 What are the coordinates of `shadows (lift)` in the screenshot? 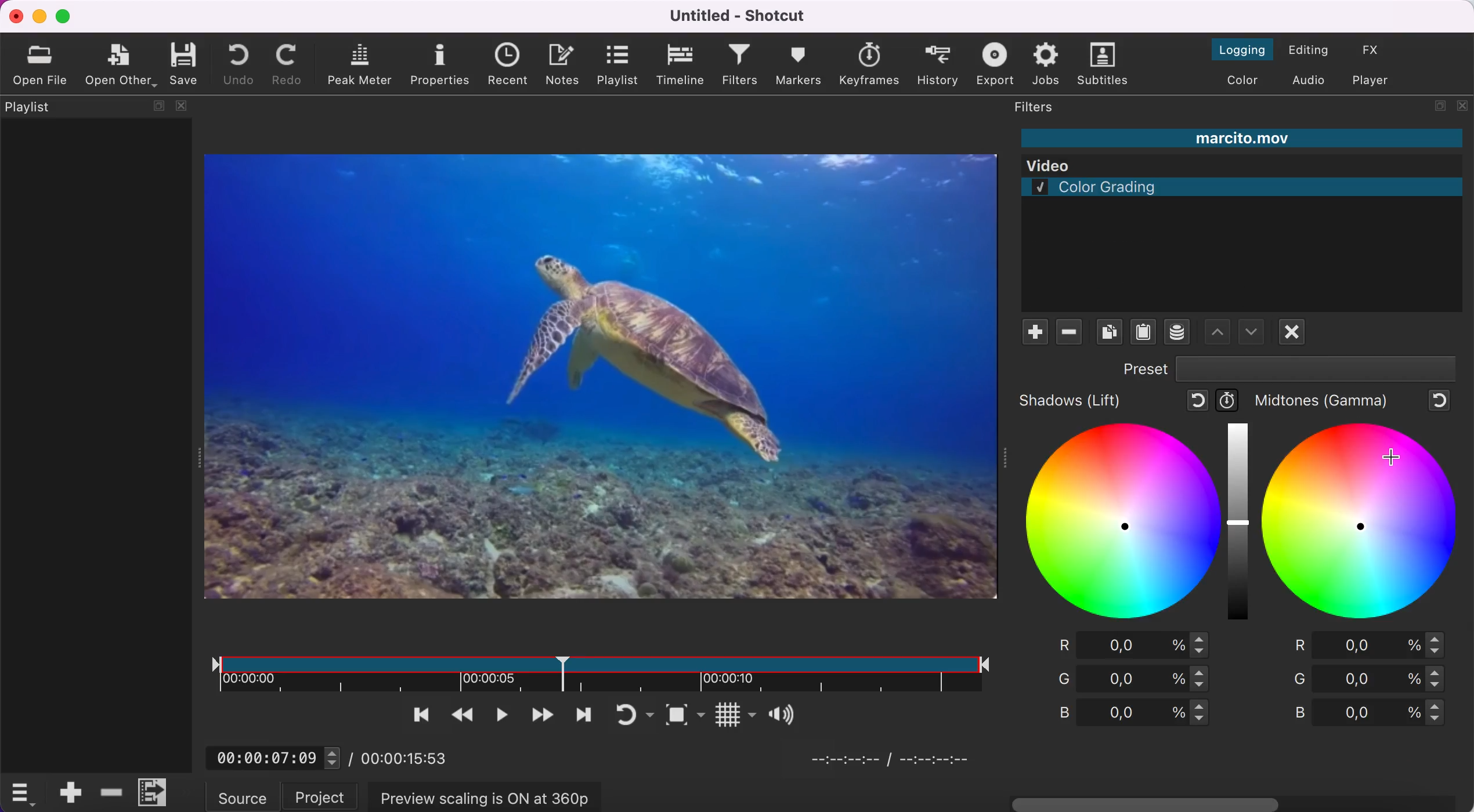 It's located at (1078, 402).